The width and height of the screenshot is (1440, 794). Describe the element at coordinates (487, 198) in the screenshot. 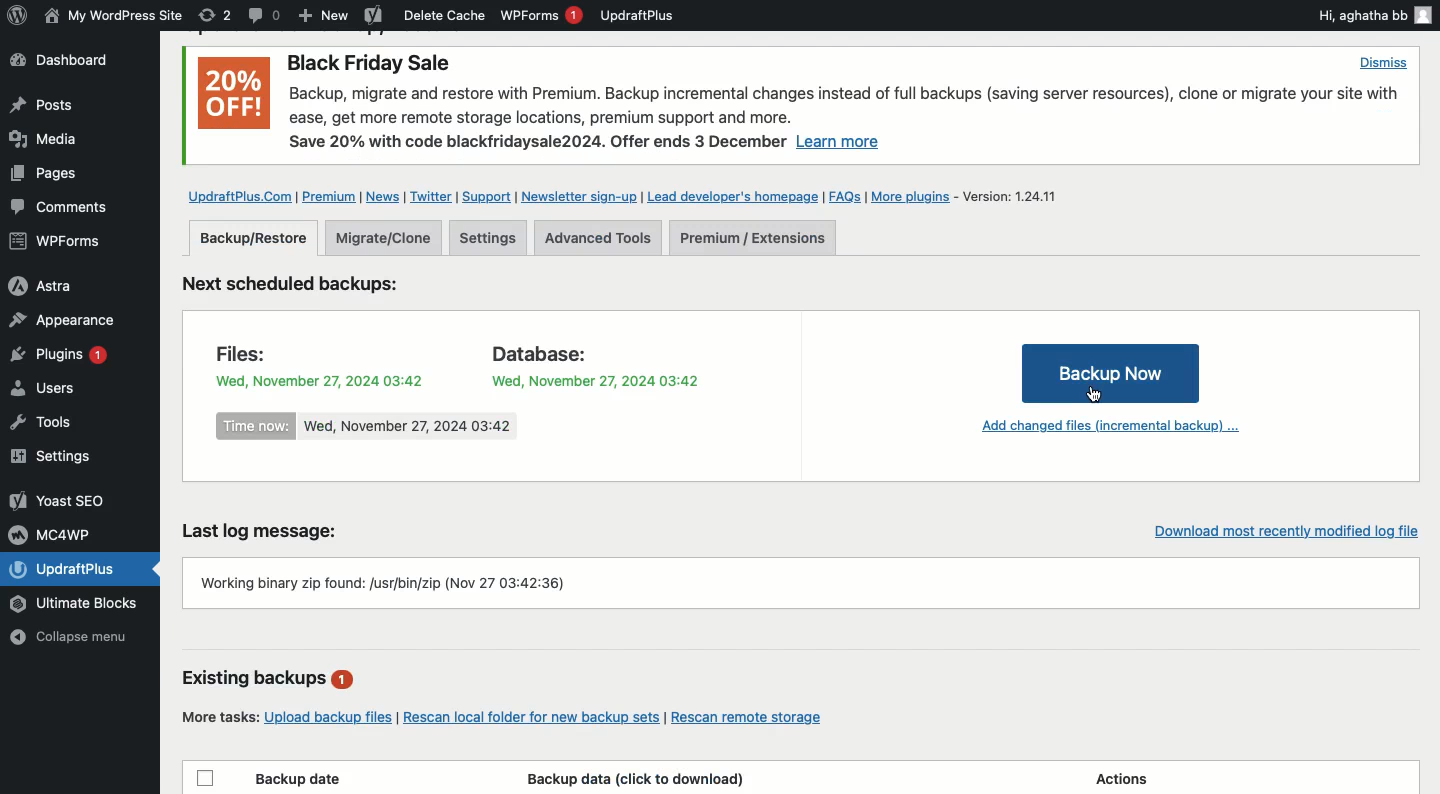

I see `Support` at that location.